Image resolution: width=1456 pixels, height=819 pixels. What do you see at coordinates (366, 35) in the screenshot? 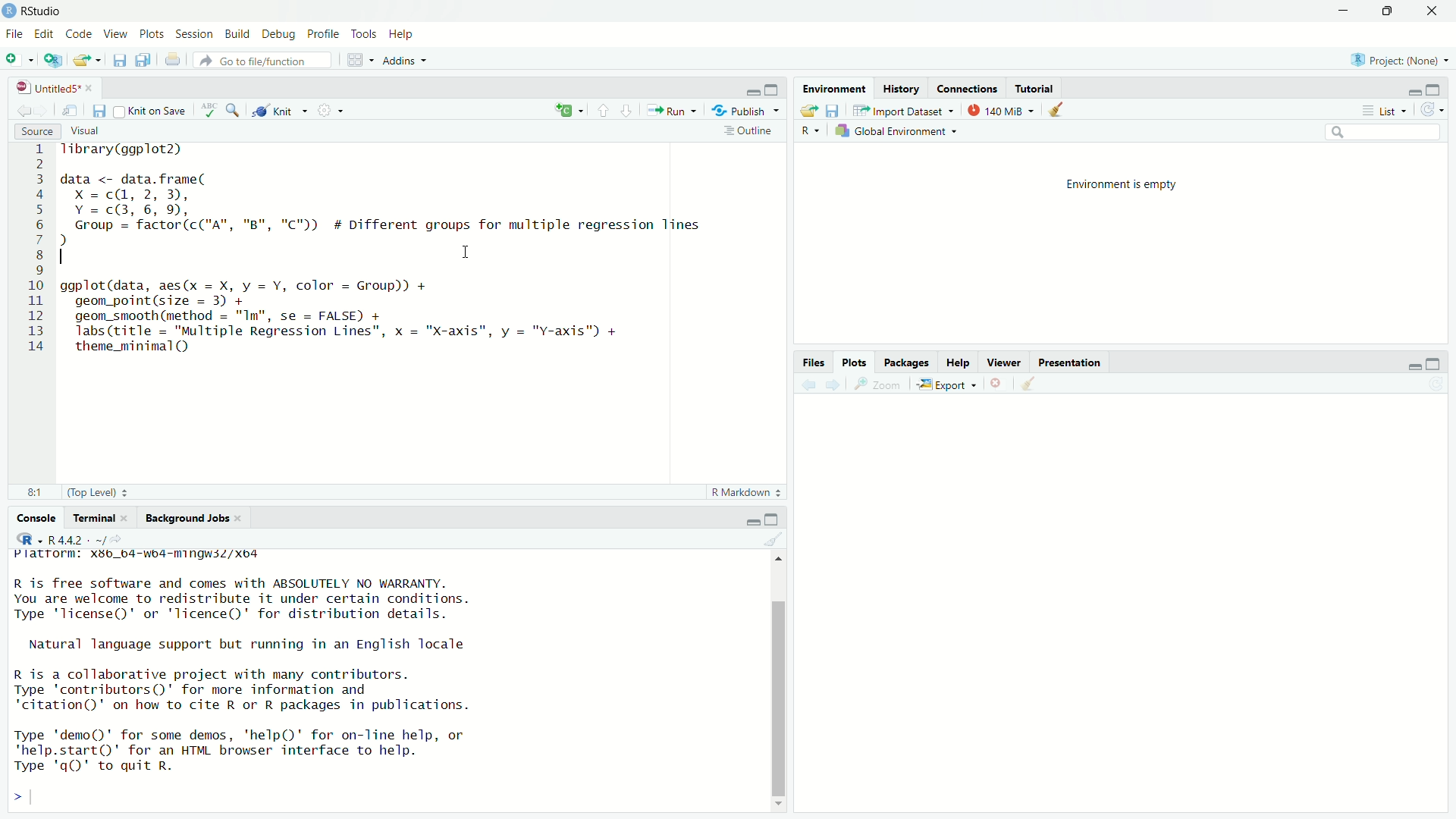
I see `Tools` at bounding box center [366, 35].